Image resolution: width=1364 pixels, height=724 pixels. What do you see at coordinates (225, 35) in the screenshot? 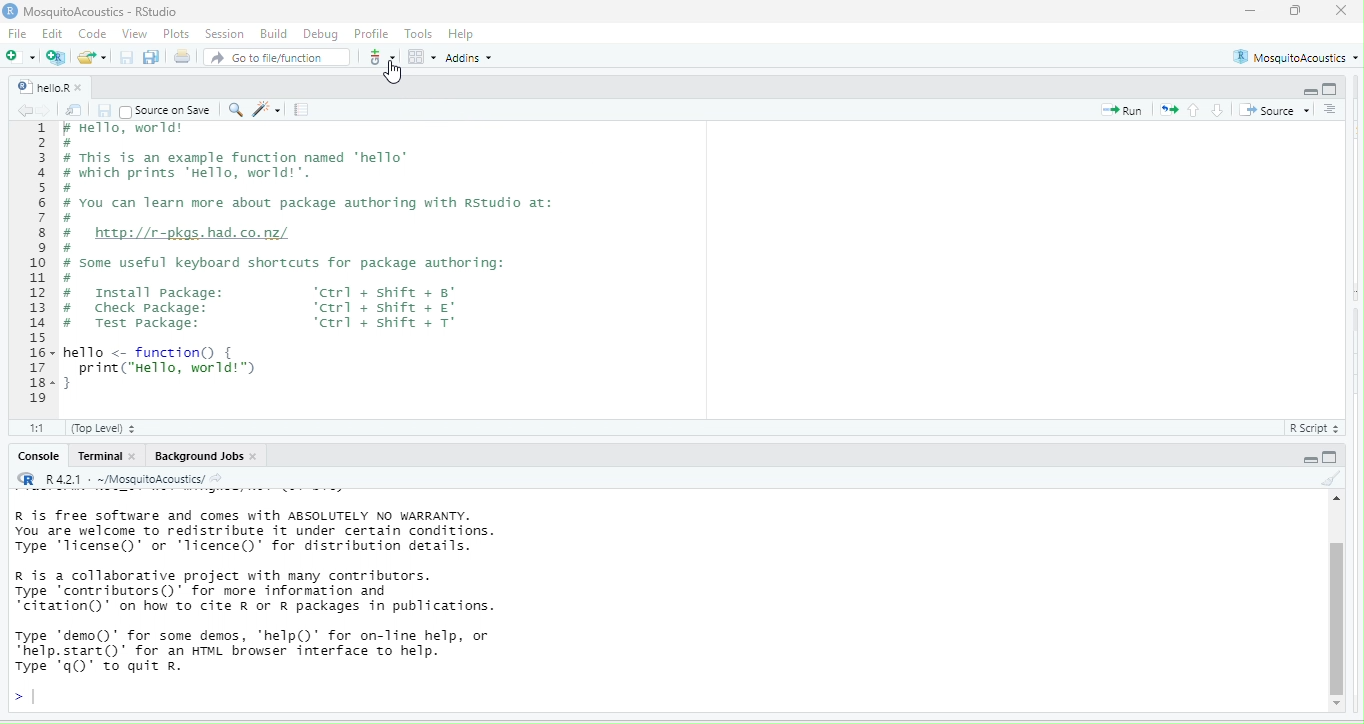
I see `session` at bounding box center [225, 35].